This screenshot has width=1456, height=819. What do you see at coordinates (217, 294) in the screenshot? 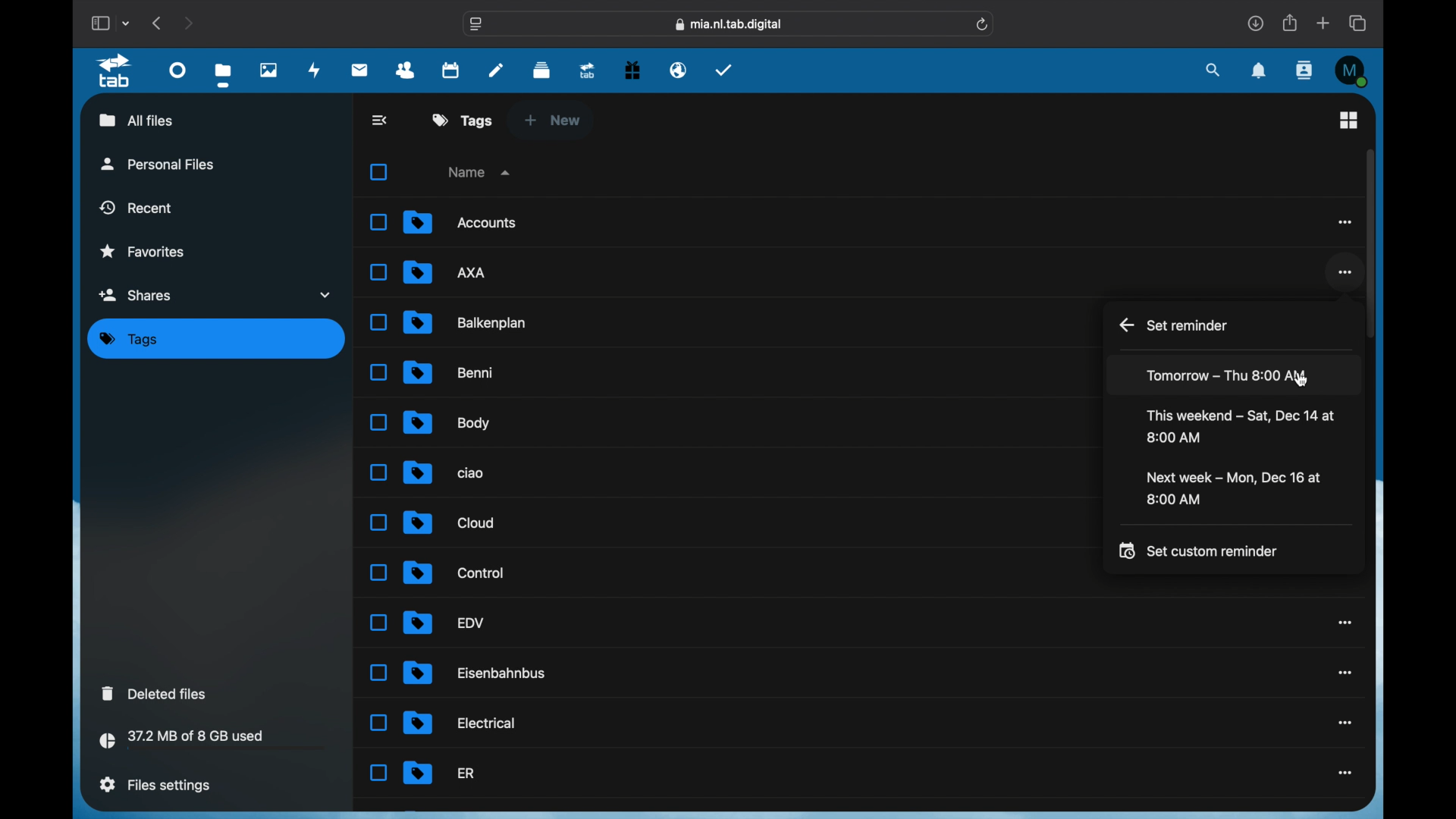
I see `shares` at bounding box center [217, 294].